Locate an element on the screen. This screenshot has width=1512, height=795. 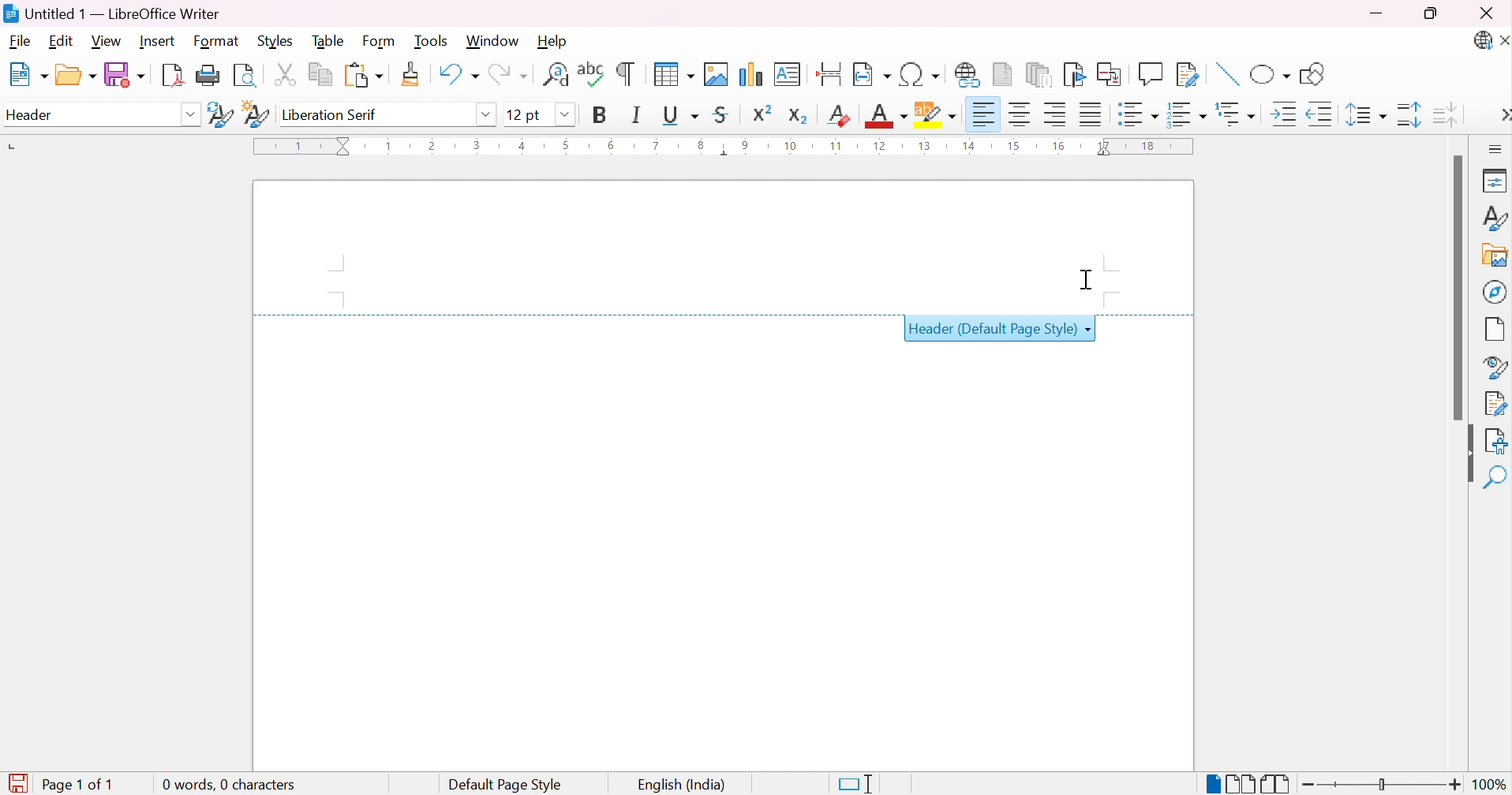
English (India) is located at coordinates (683, 784).